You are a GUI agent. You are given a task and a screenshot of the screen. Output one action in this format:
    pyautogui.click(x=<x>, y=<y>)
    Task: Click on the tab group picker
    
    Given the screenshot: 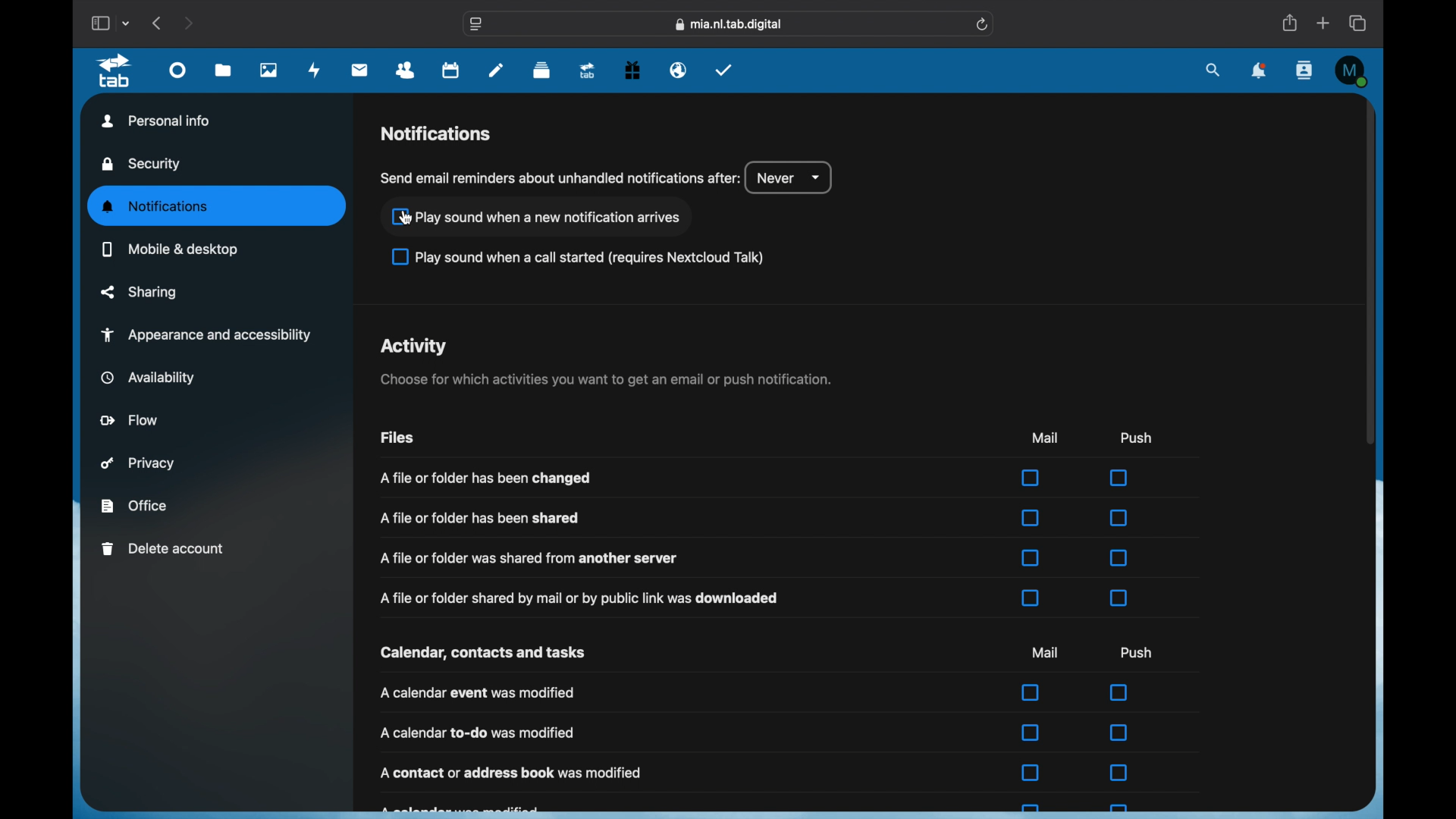 What is the action you would take?
    pyautogui.click(x=127, y=23)
    